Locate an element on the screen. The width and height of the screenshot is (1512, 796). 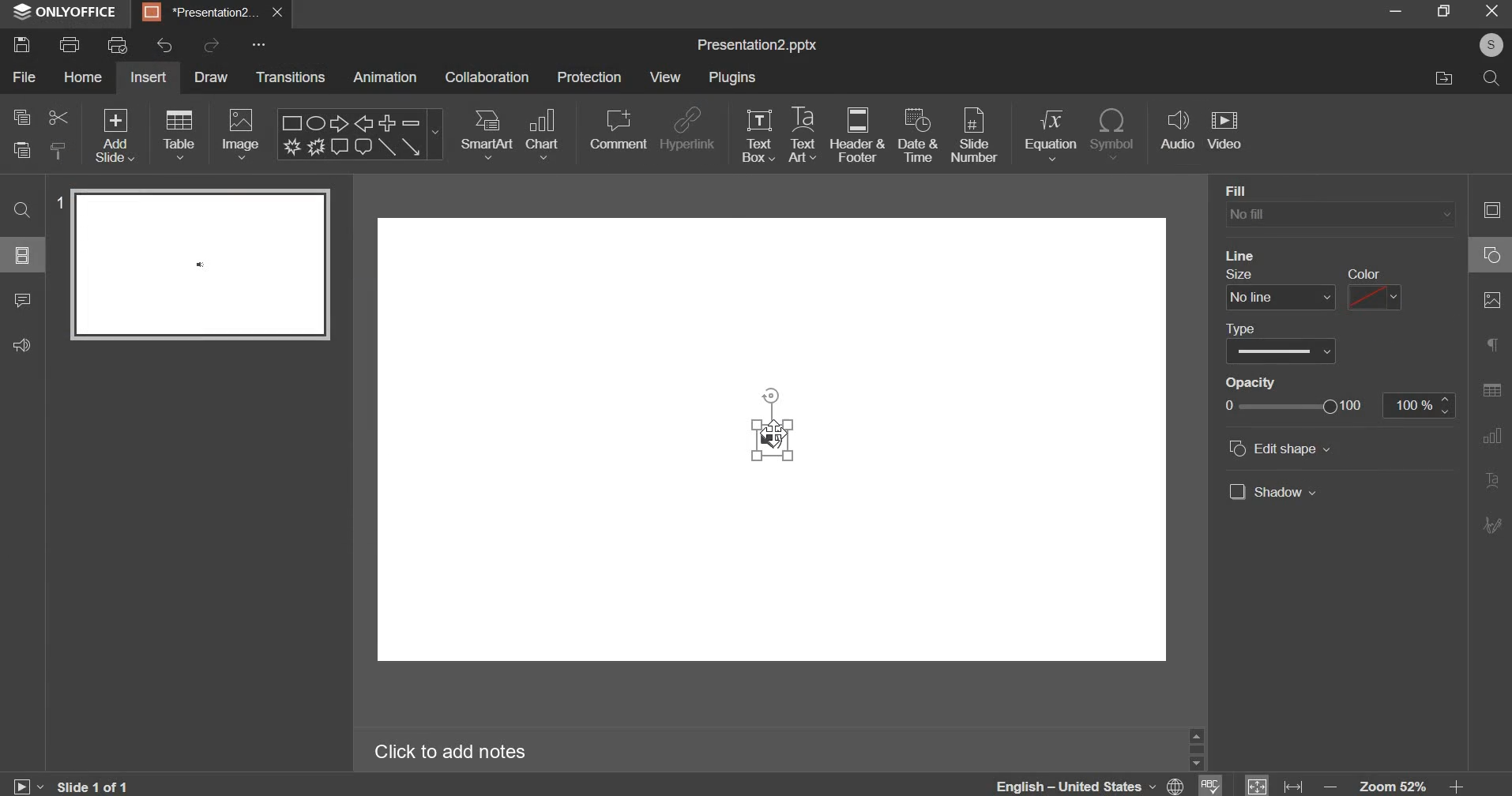
paste is located at coordinates (21, 152).